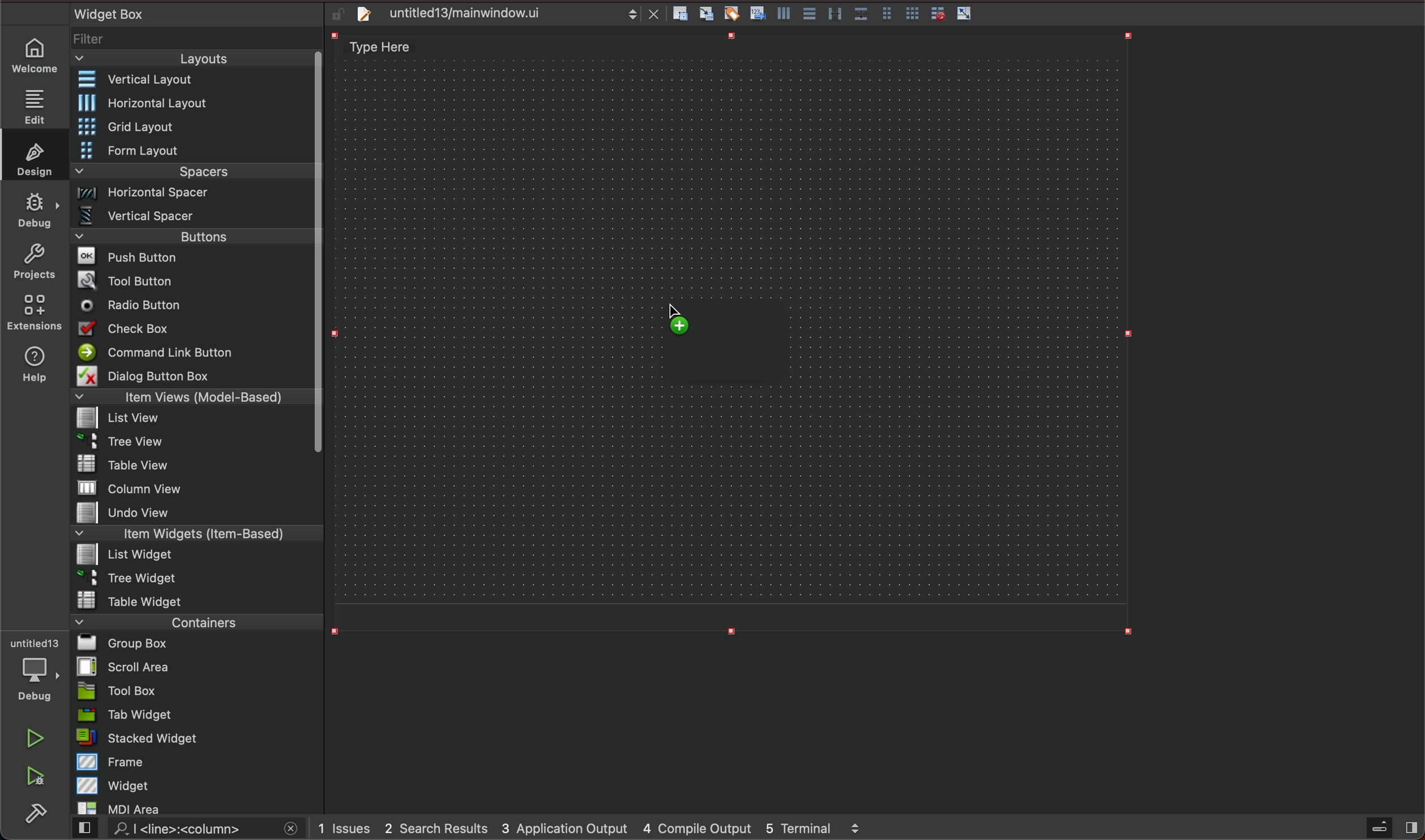 This screenshot has width=1425, height=840. What do you see at coordinates (200, 235) in the screenshot?
I see `buttons` at bounding box center [200, 235].